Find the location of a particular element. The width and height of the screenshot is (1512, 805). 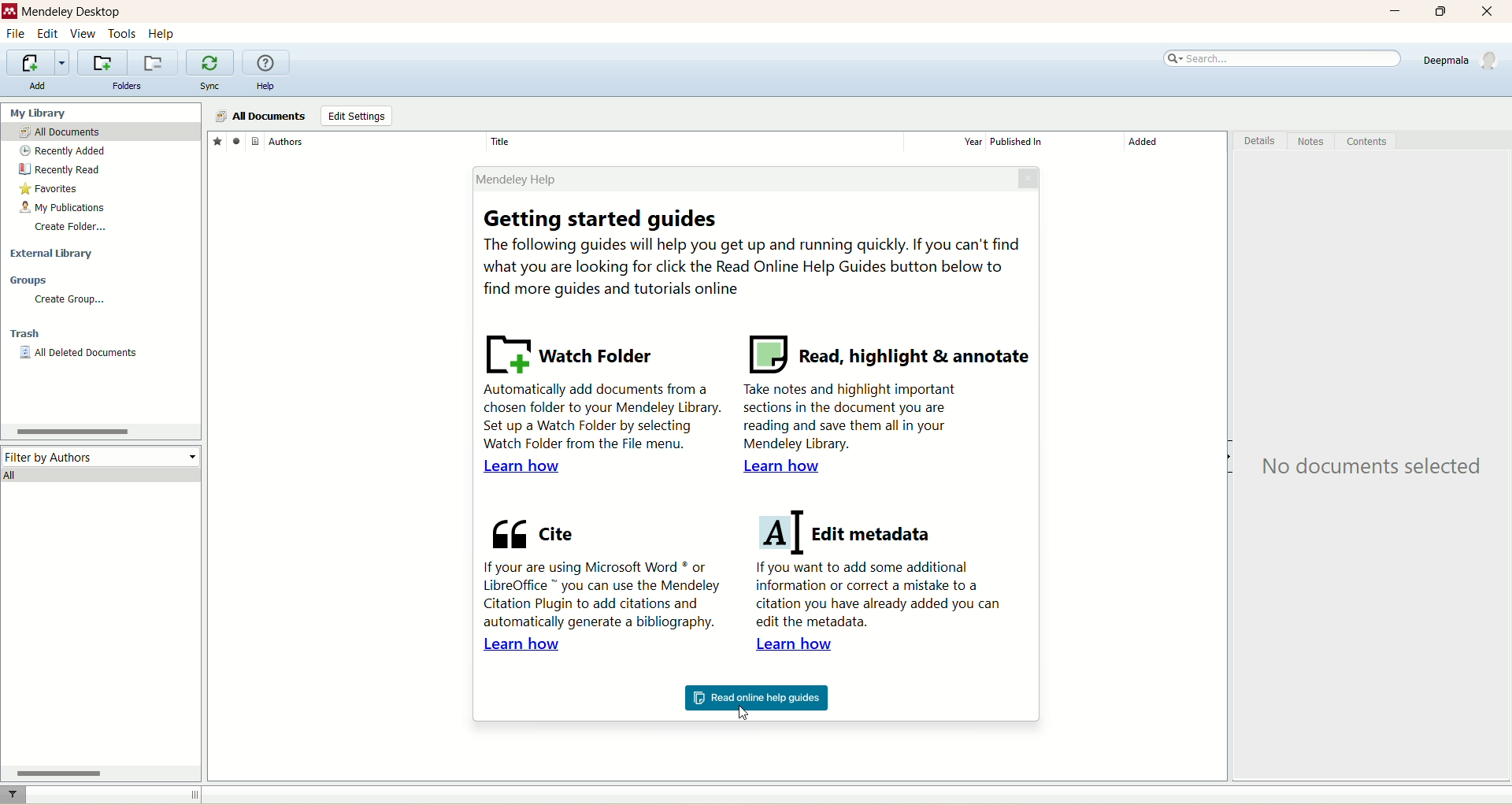

filter by authors is located at coordinates (102, 457).